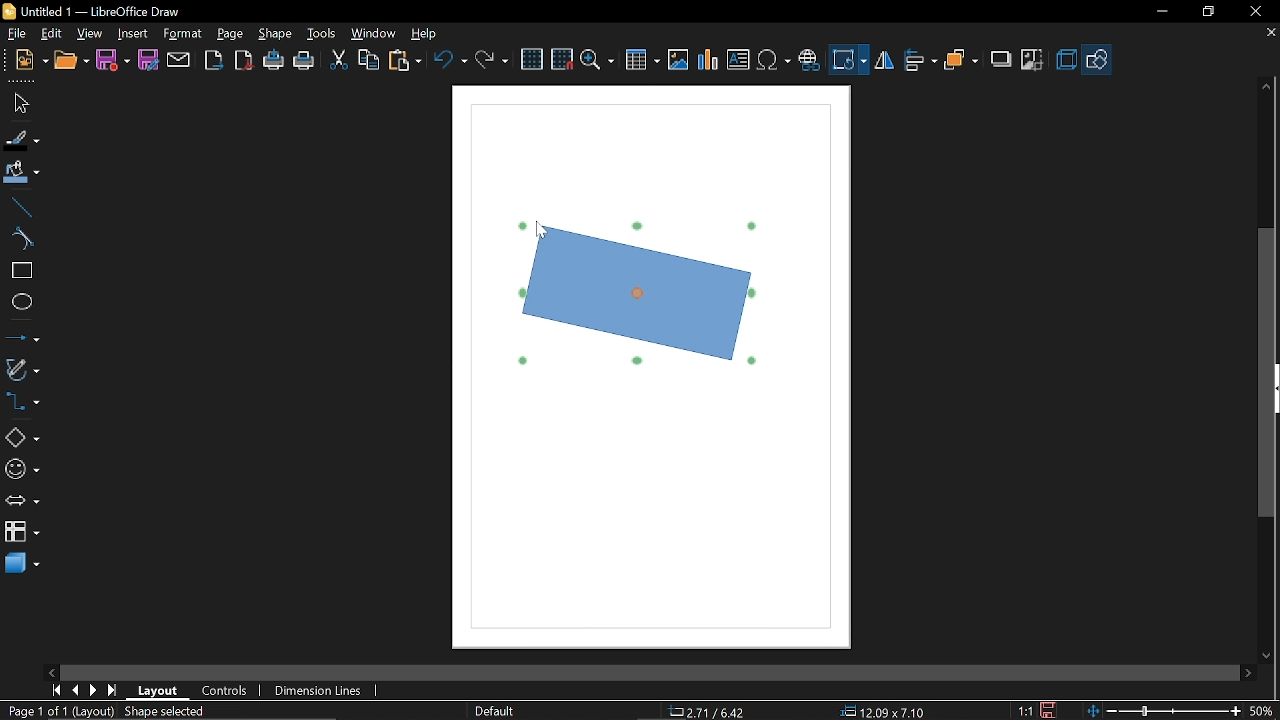  I want to click on Export as pdf, so click(245, 61).